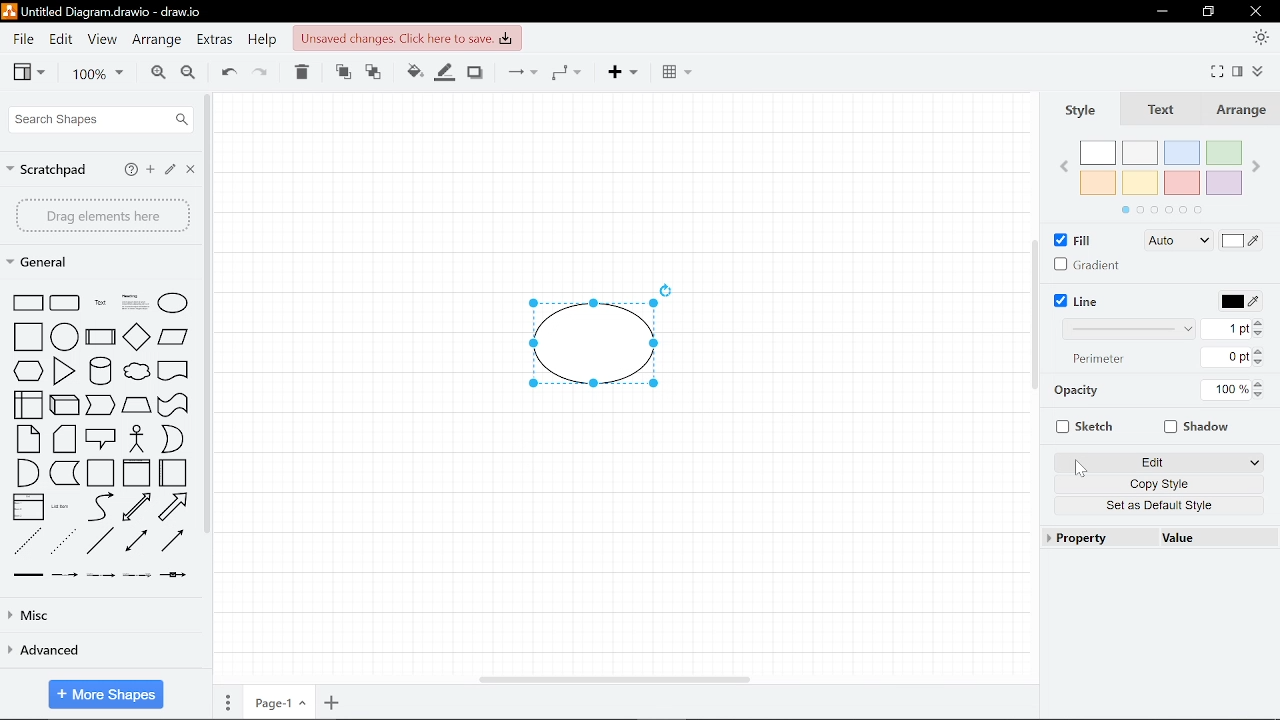 Image resolution: width=1280 pixels, height=720 pixels. What do you see at coordinates (1088, 264) in the screenshot?
I see `Gradiant` at bounding box center [1088, 264].